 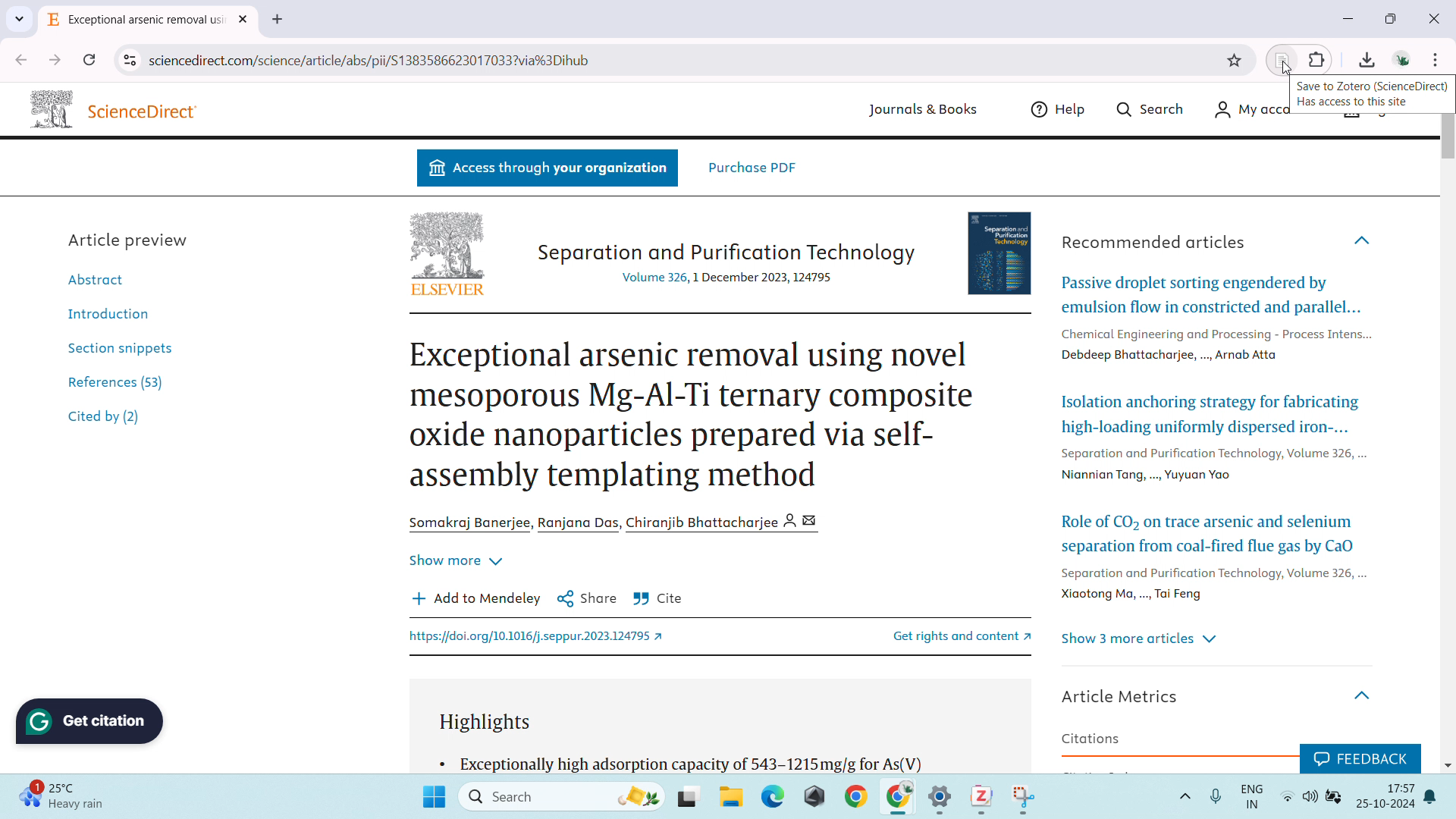 What do you see at coordinates (1091, 739) in the screenshot?
I see `Citations` at bounding box center [1091, 739].